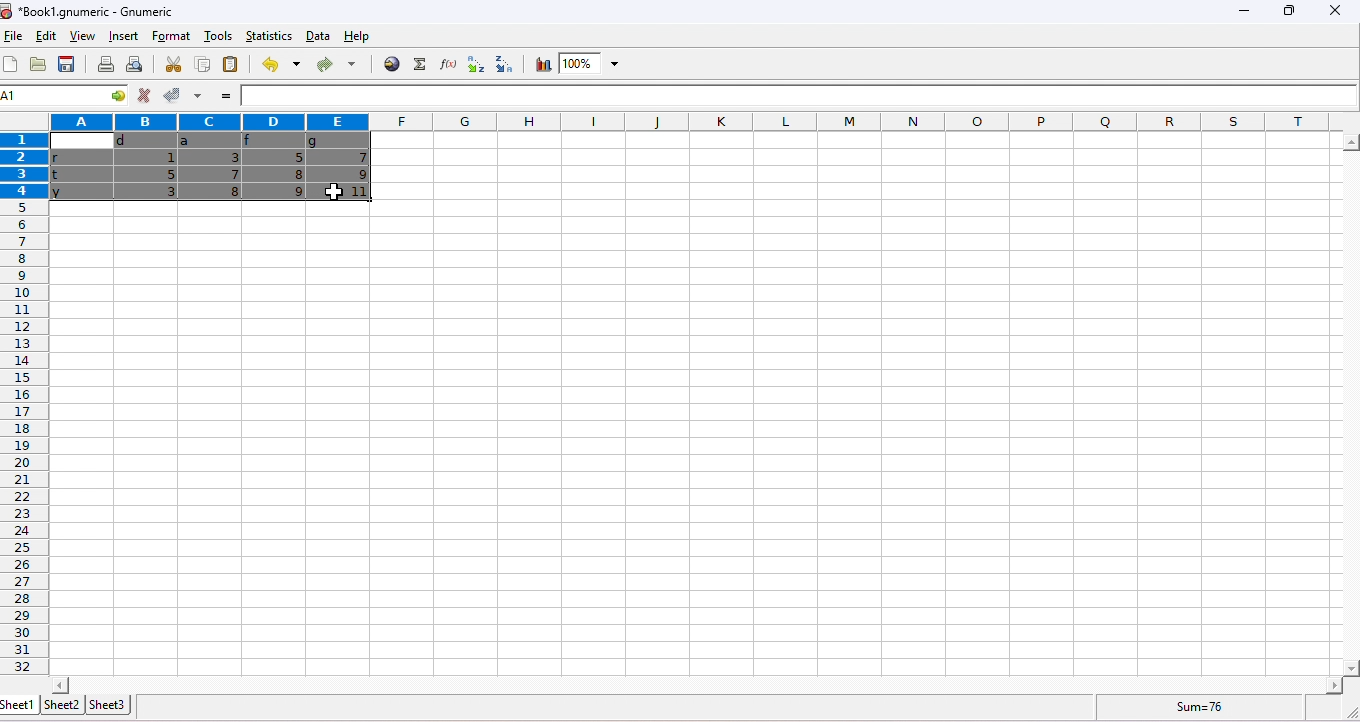  What do you see at coordinates (106, 64) in the screenshot?
I see `print` at bounding box center [106, 64].